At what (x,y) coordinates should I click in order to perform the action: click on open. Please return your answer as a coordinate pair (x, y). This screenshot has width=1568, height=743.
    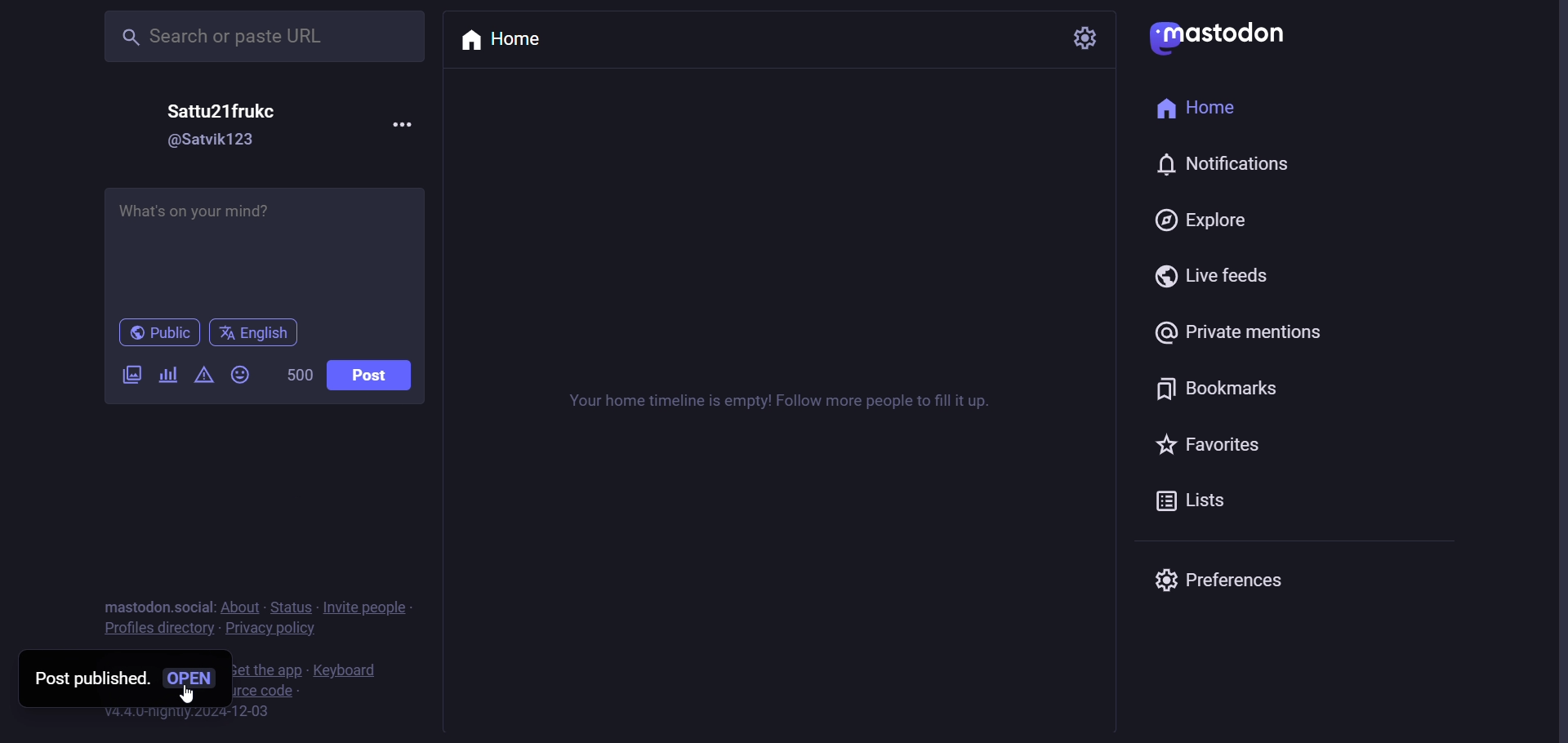
    Looking at the image, I should click on (191, 676).